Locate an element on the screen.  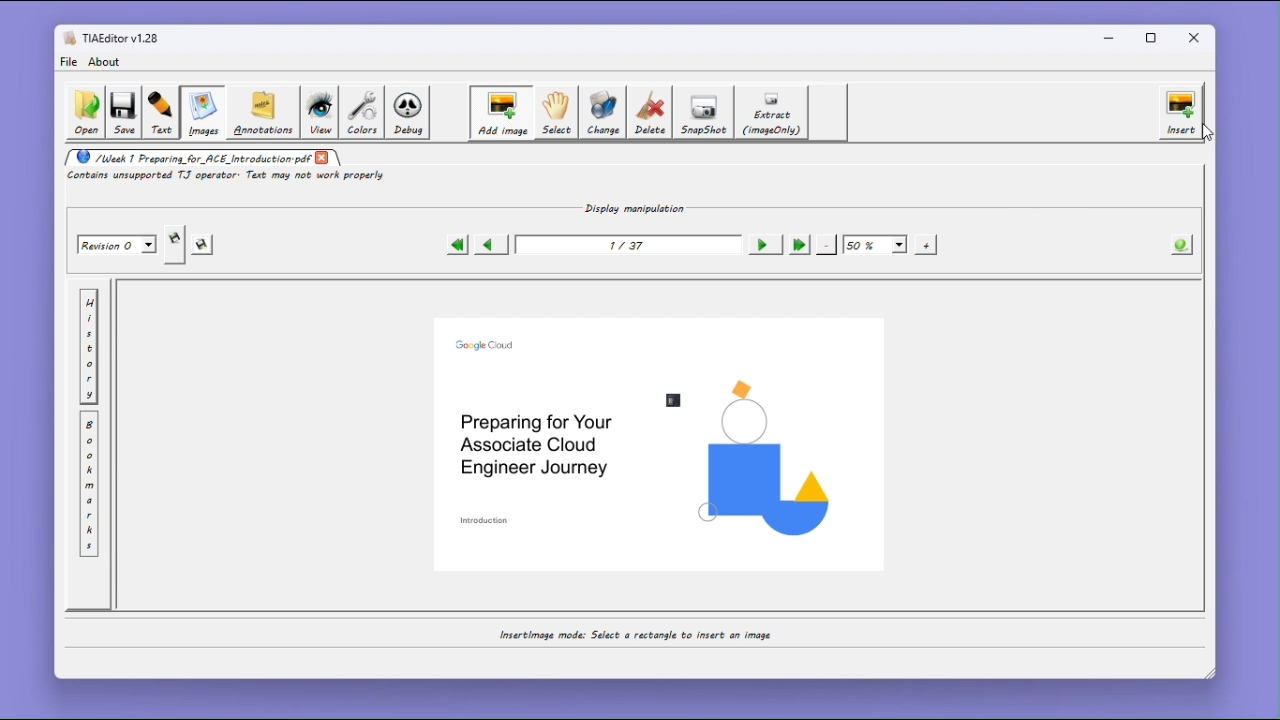
google cloud is located at coordinates (486, 344).